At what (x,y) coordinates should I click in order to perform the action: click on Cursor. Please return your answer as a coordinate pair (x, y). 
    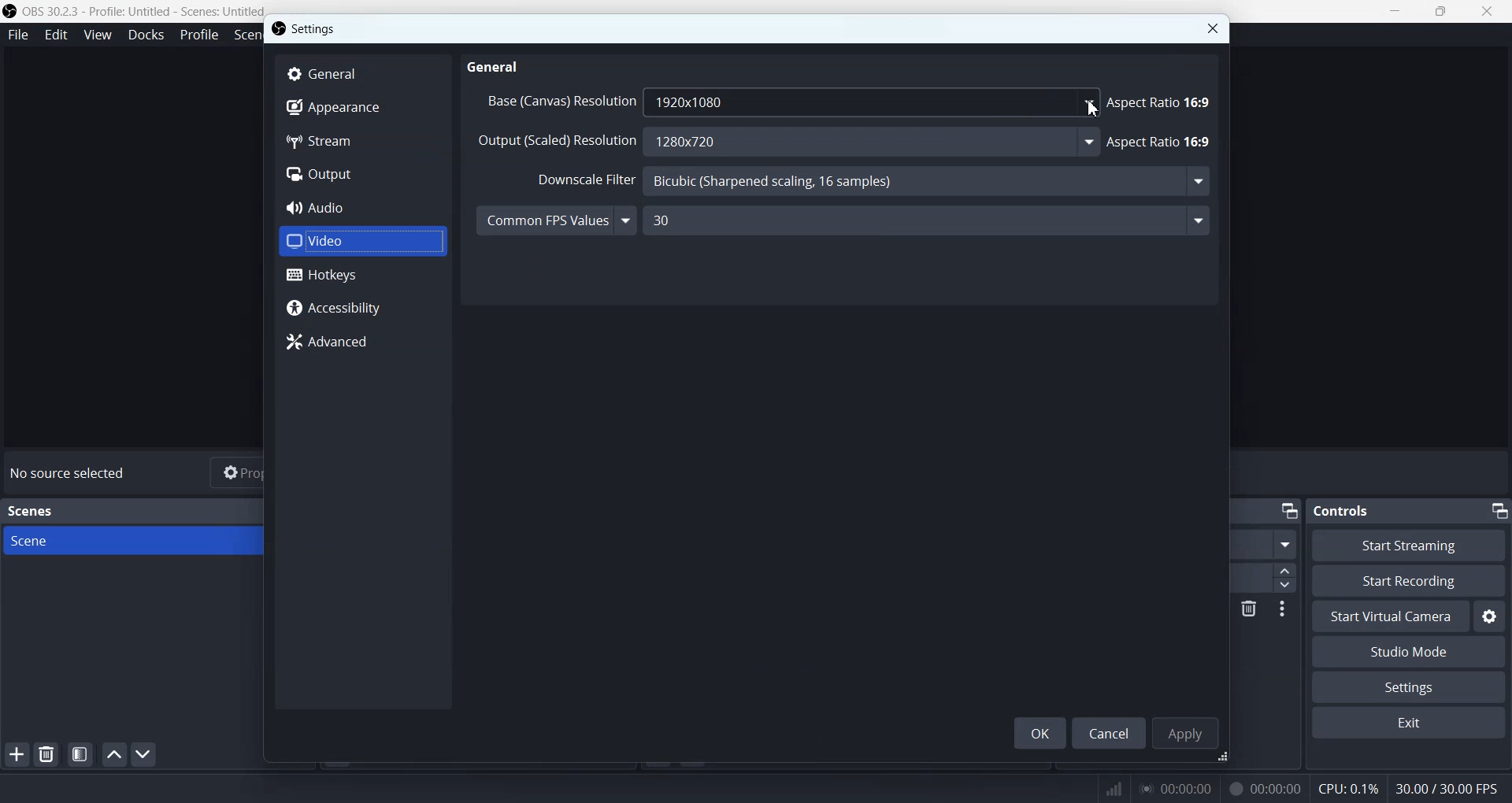
    Looking at the image, I should click on (1090, 108).